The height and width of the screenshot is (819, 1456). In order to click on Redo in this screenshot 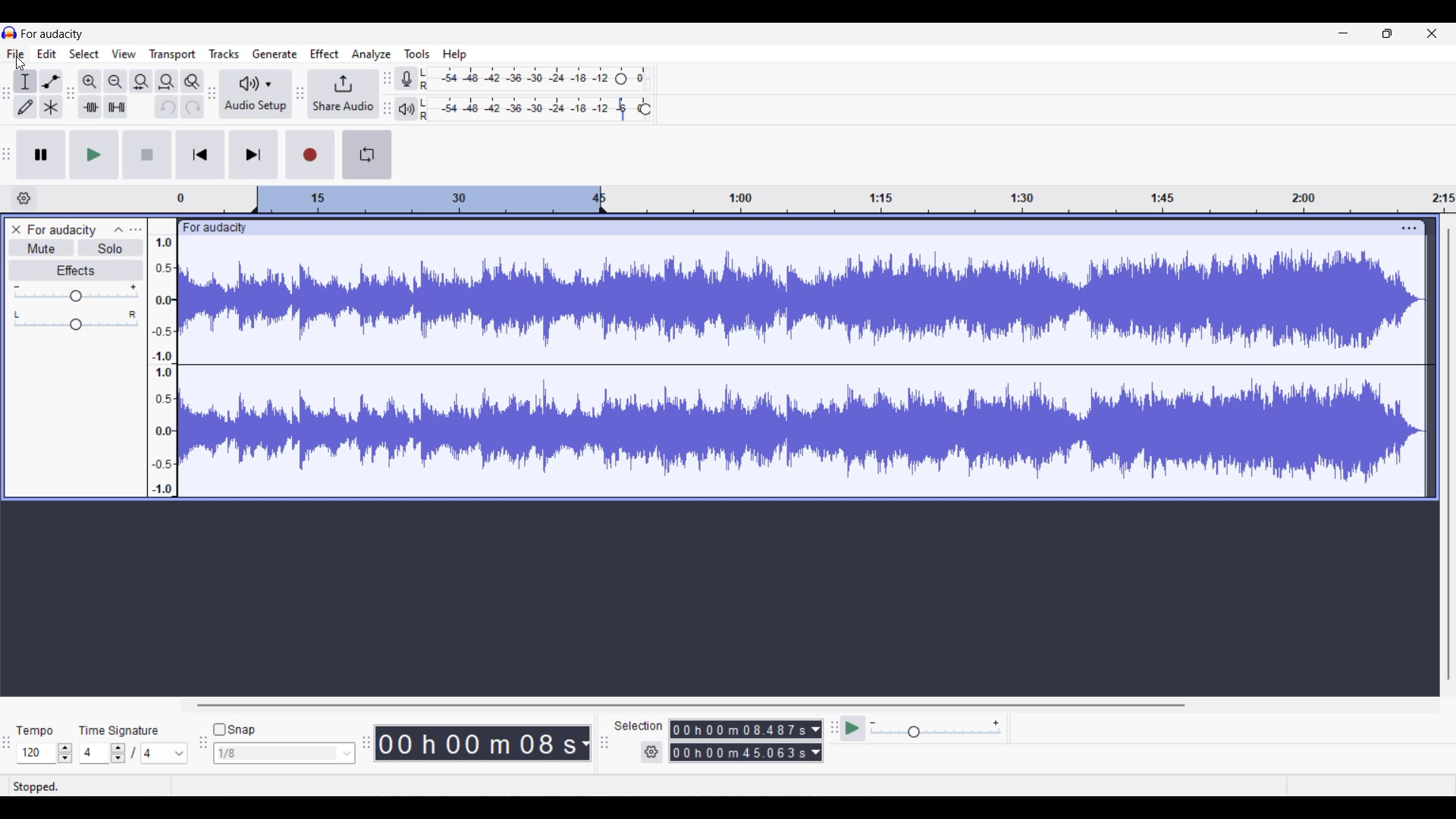, I will do `click(193, 106)`.